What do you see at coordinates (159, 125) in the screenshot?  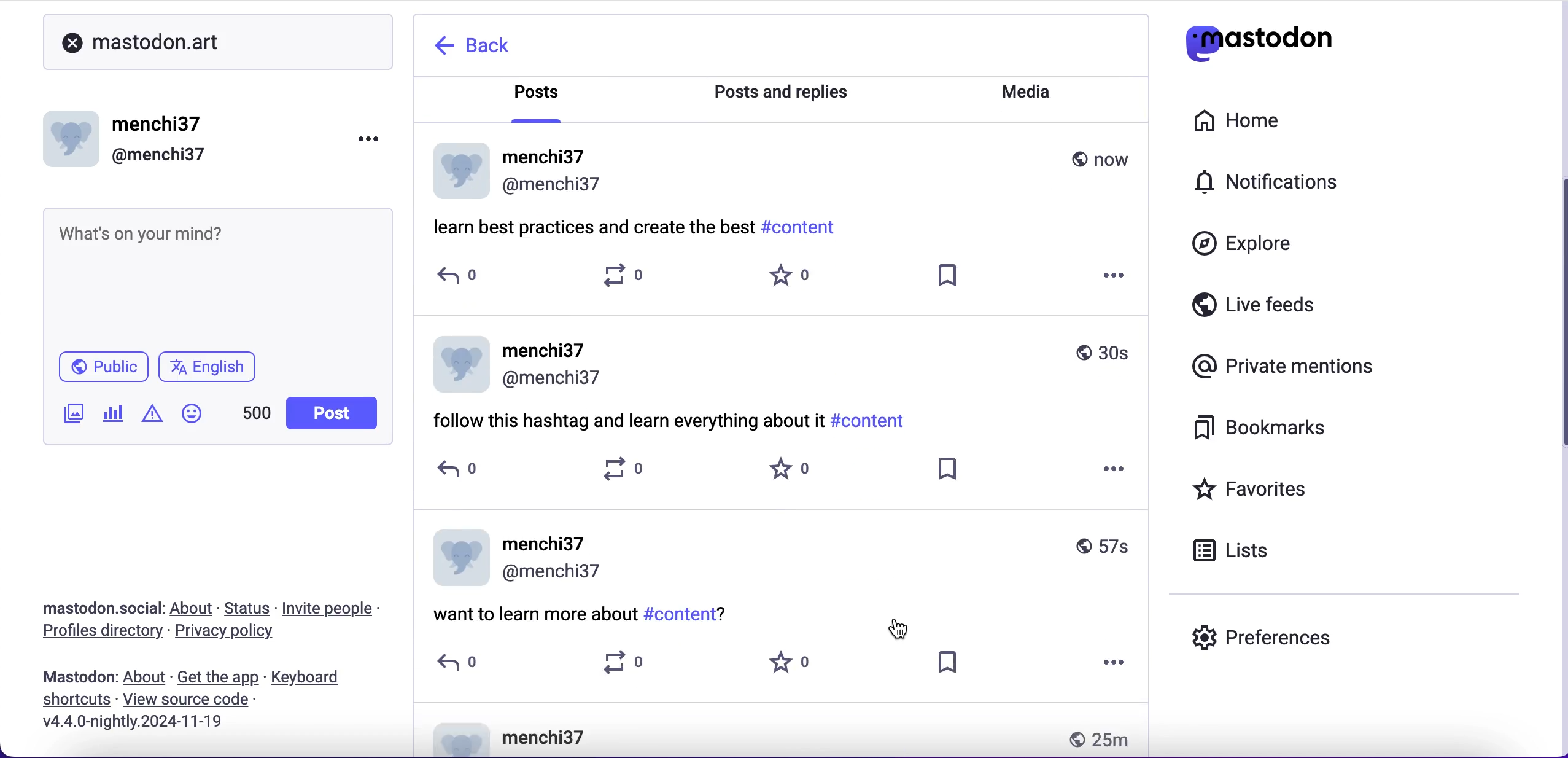 I see `menchi37` at bounding box center [159, 125].